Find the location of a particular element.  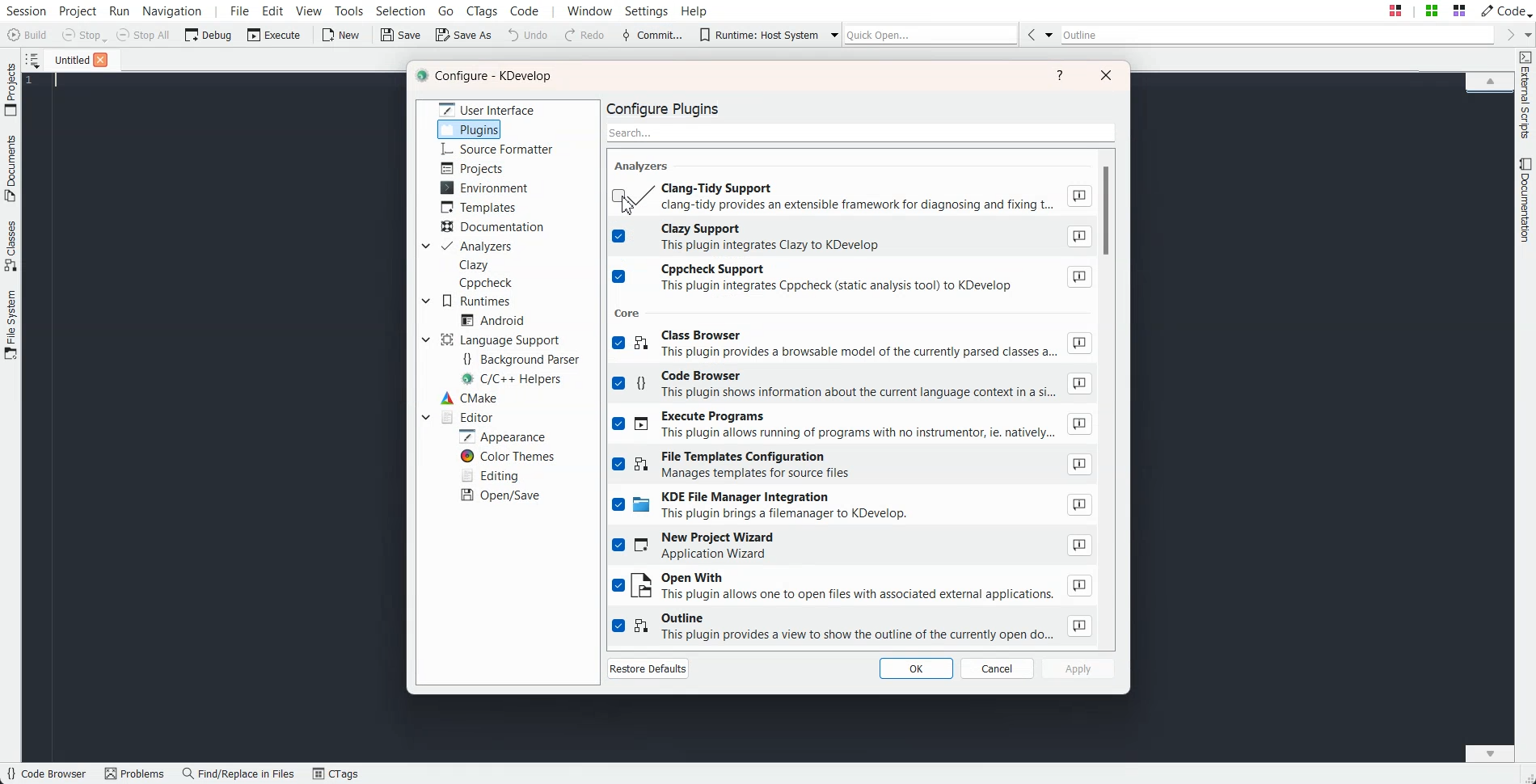

Text is located at coordinates (629, 312).